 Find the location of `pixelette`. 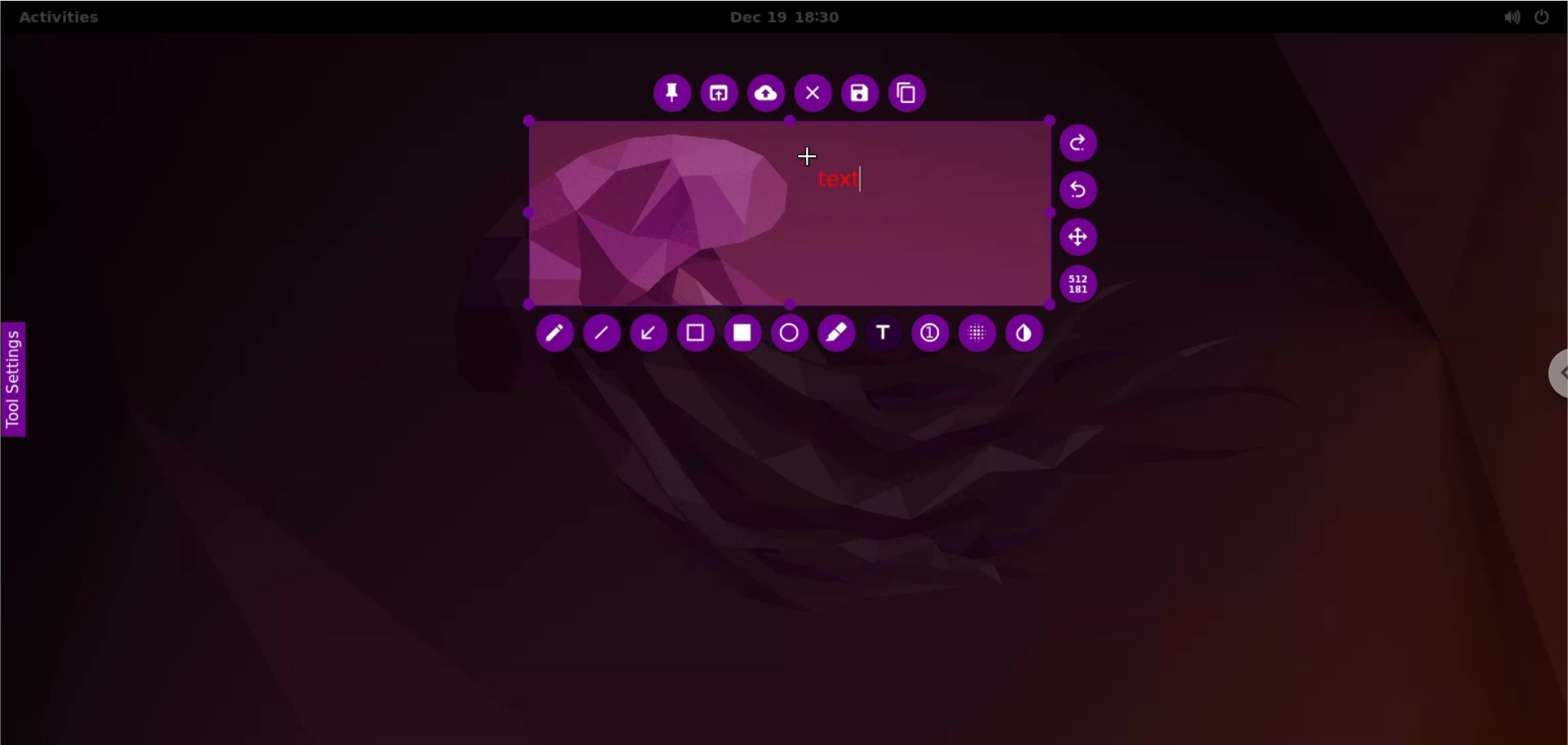

pixelette is located at coordinates (977, 329).